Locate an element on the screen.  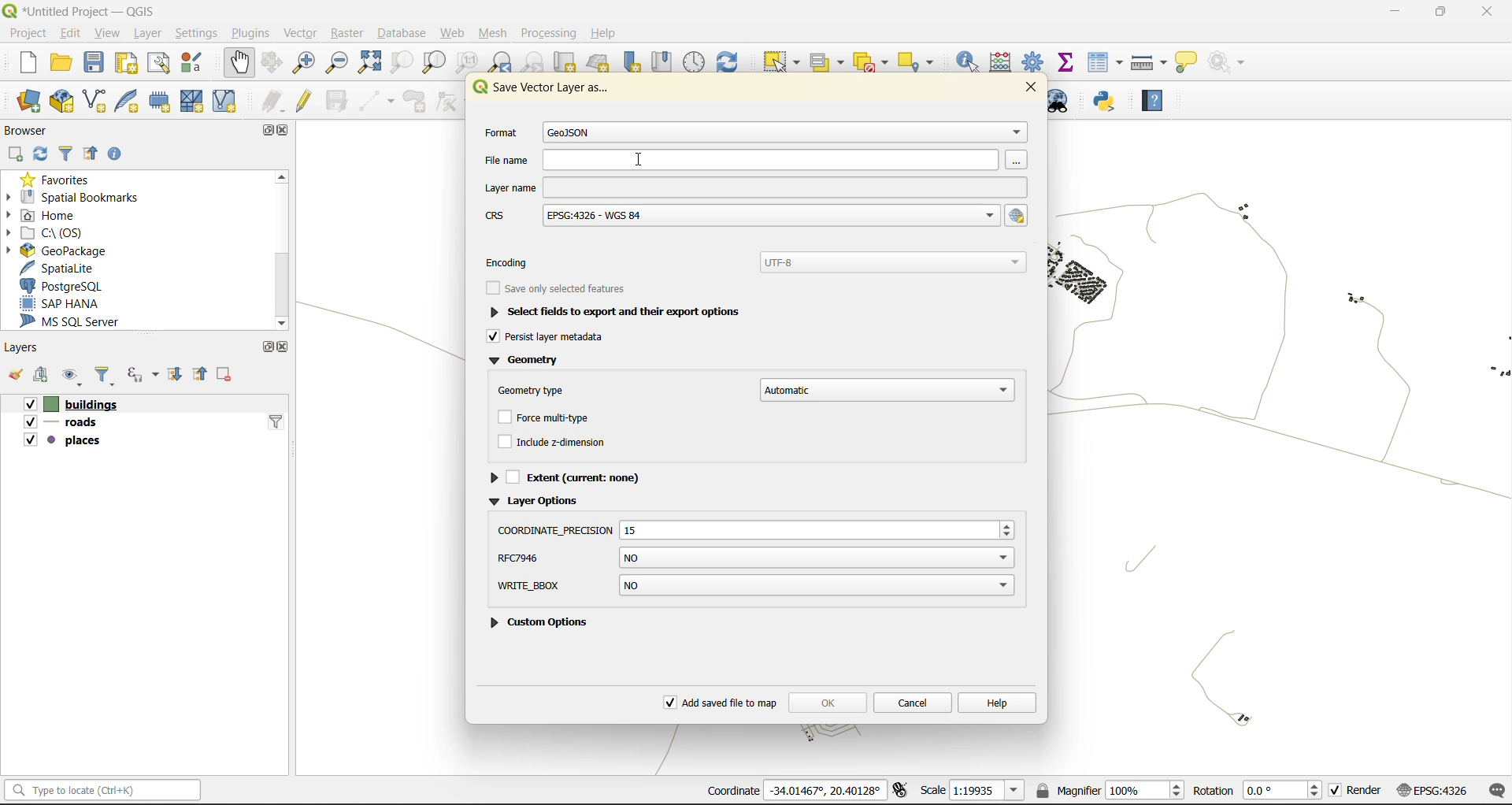
render is located at coordinates (1357, 791).